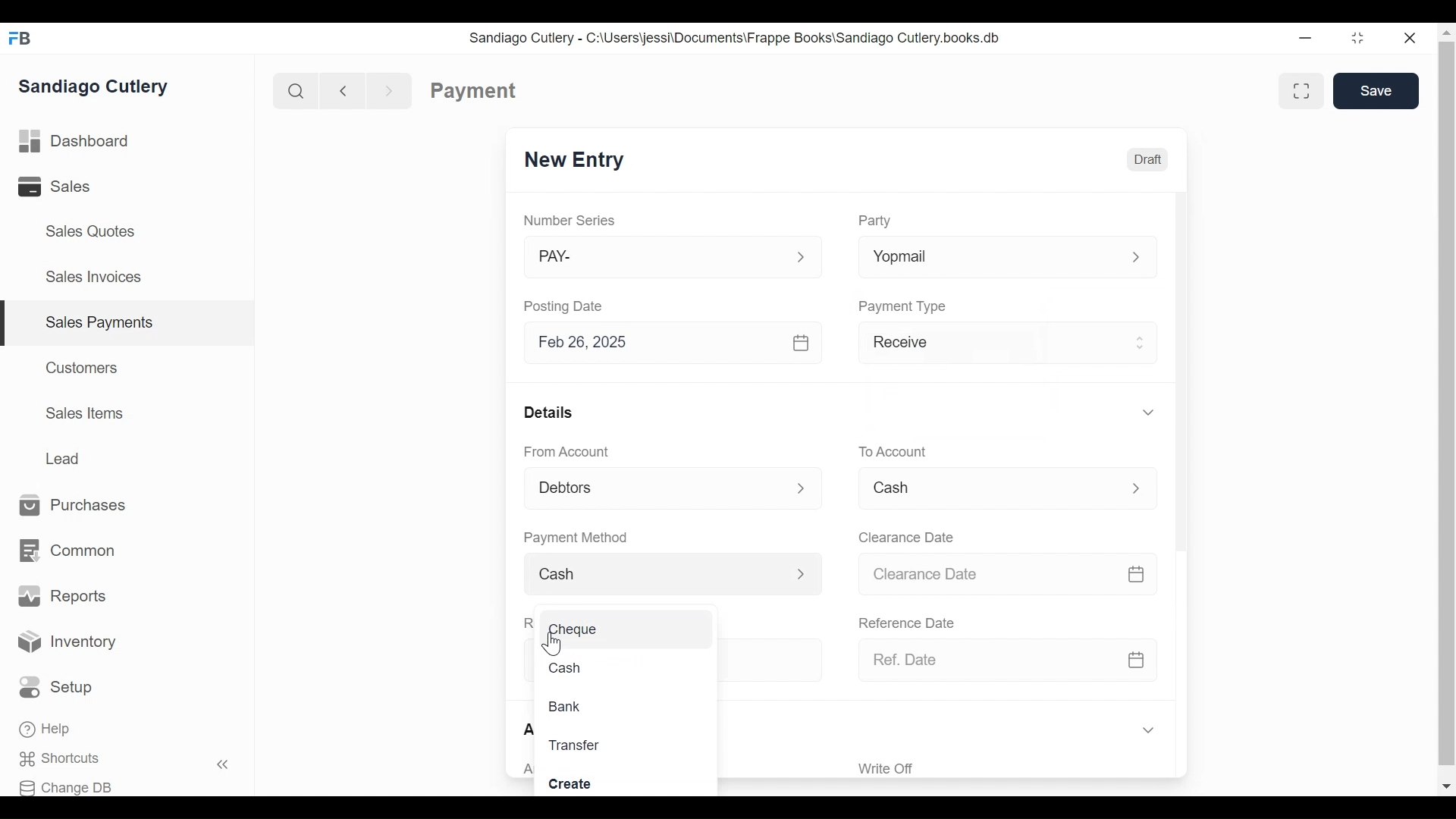  Describe the element at coordinates (803, 341) in the screenshot. I see `Calendar` at that location.